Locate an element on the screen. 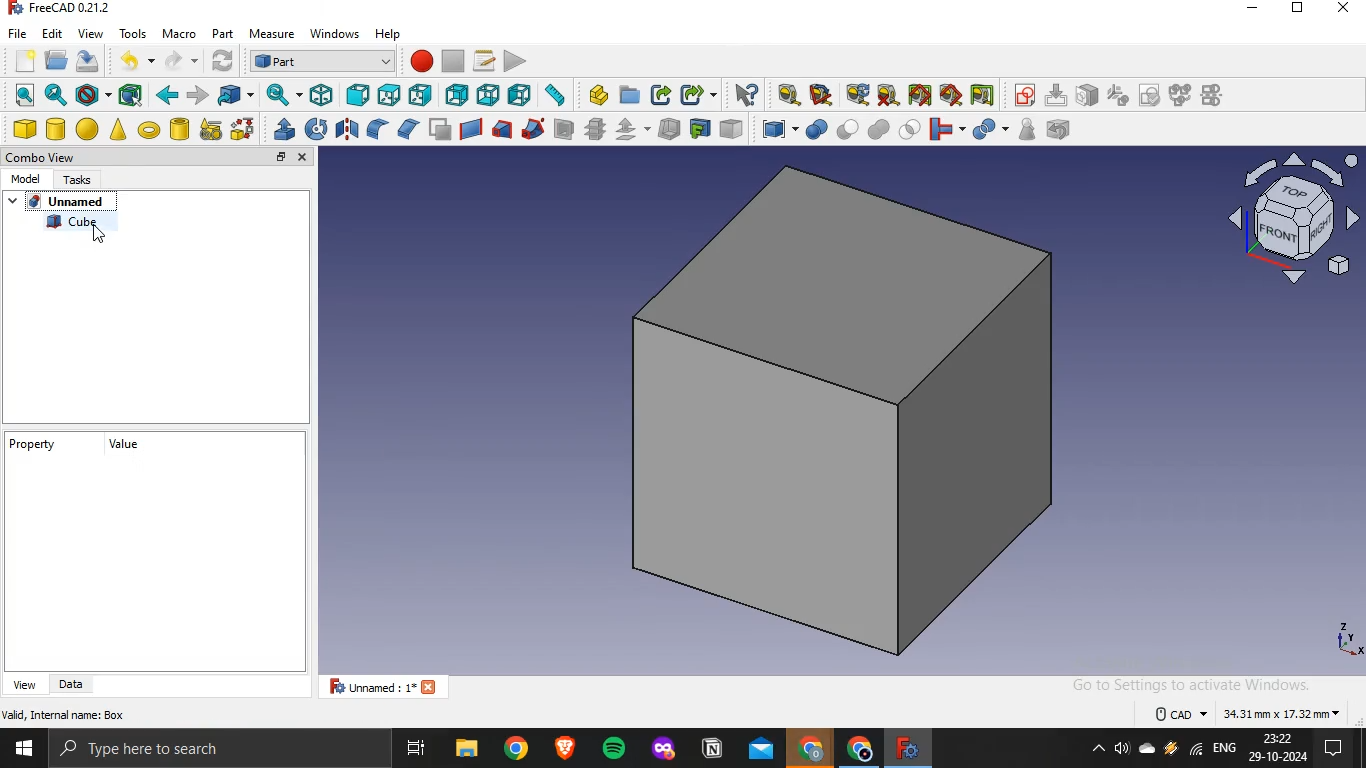 This screenshot has height=768, width=1366. make sublink is located at coordinates (694, 95).